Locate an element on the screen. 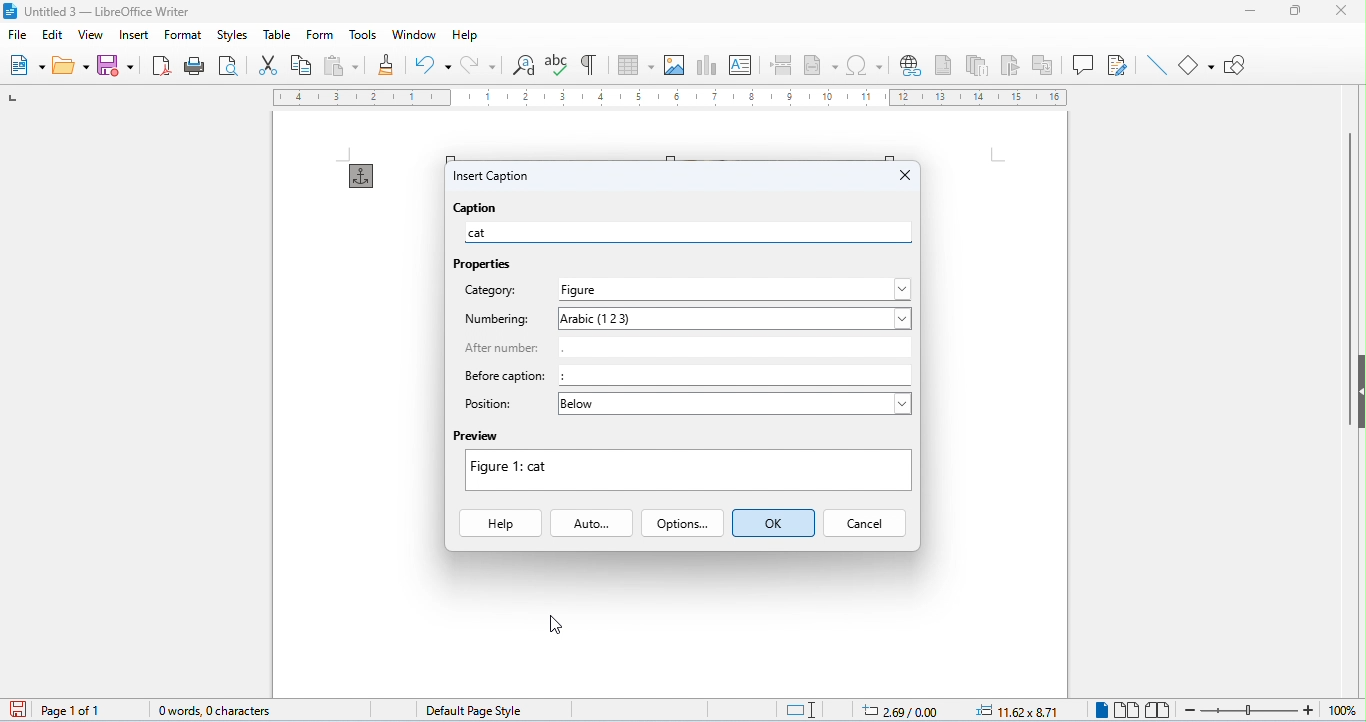 The height and width of the screenshot is (722, 1366). print preview is located at coordinates (229, 65).